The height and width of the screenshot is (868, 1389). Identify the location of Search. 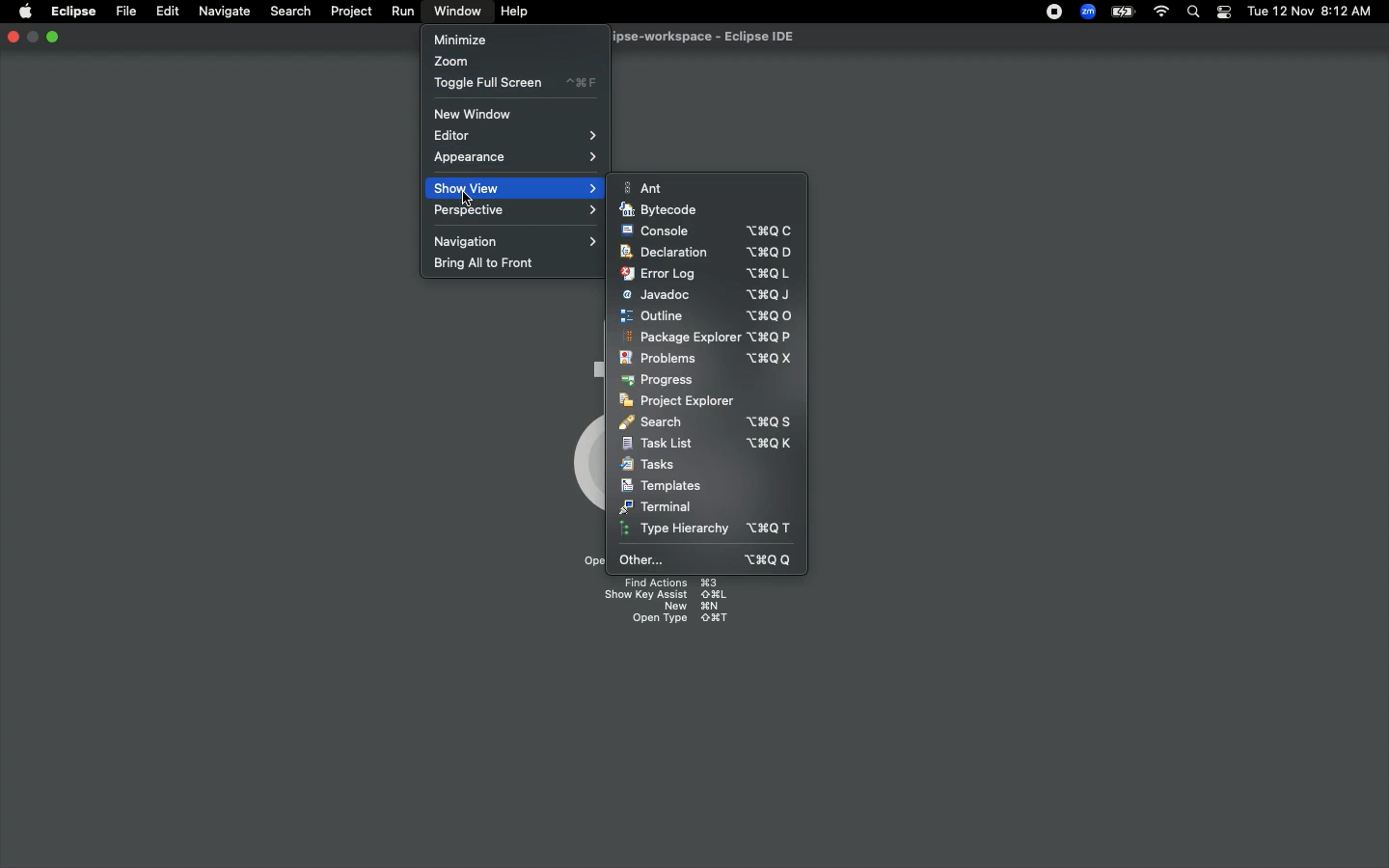
(289, 10).